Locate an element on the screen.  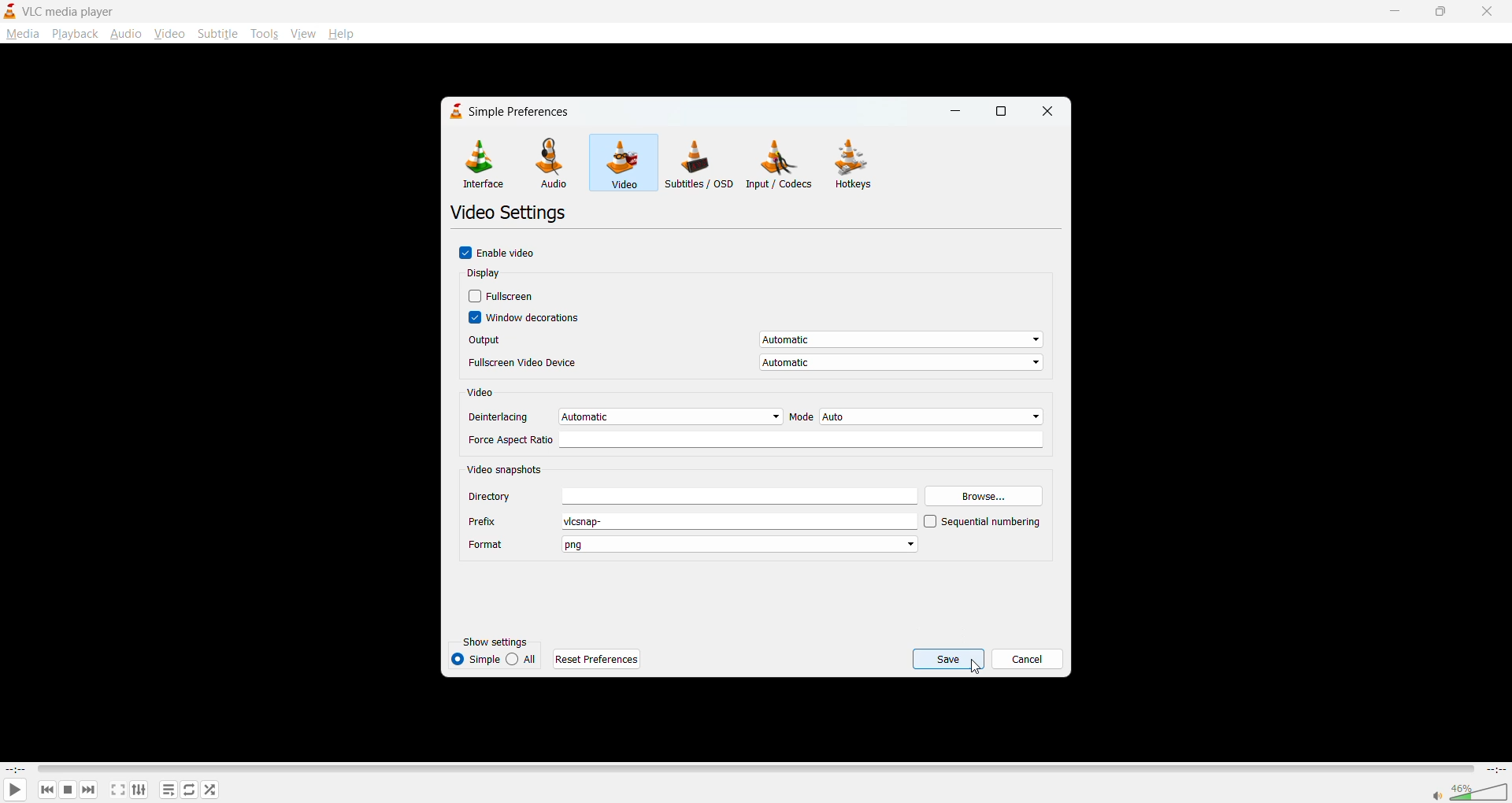
current track time is located at coordinates (16, 768).